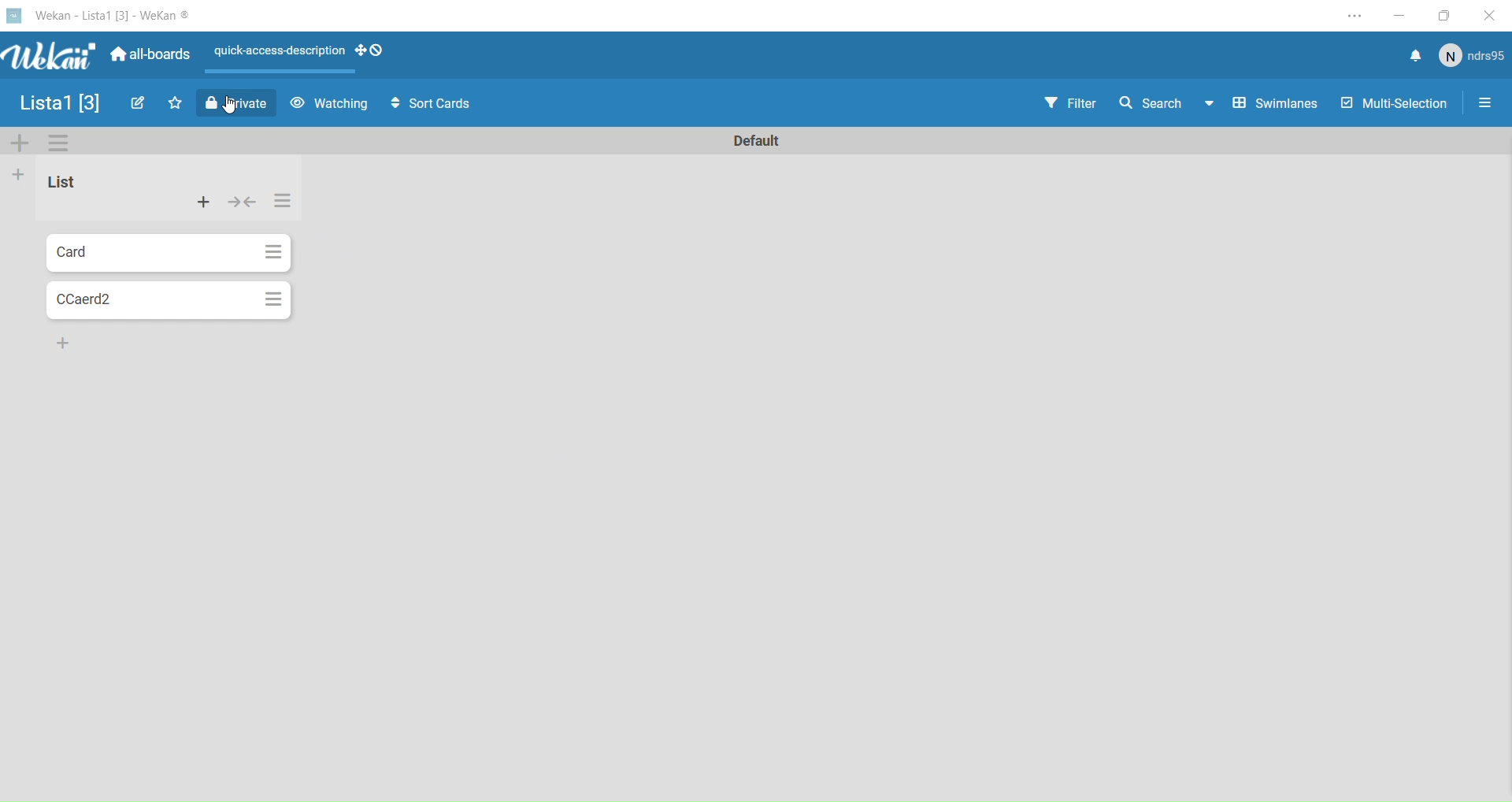  I want to click on Name, so click(59, 102).